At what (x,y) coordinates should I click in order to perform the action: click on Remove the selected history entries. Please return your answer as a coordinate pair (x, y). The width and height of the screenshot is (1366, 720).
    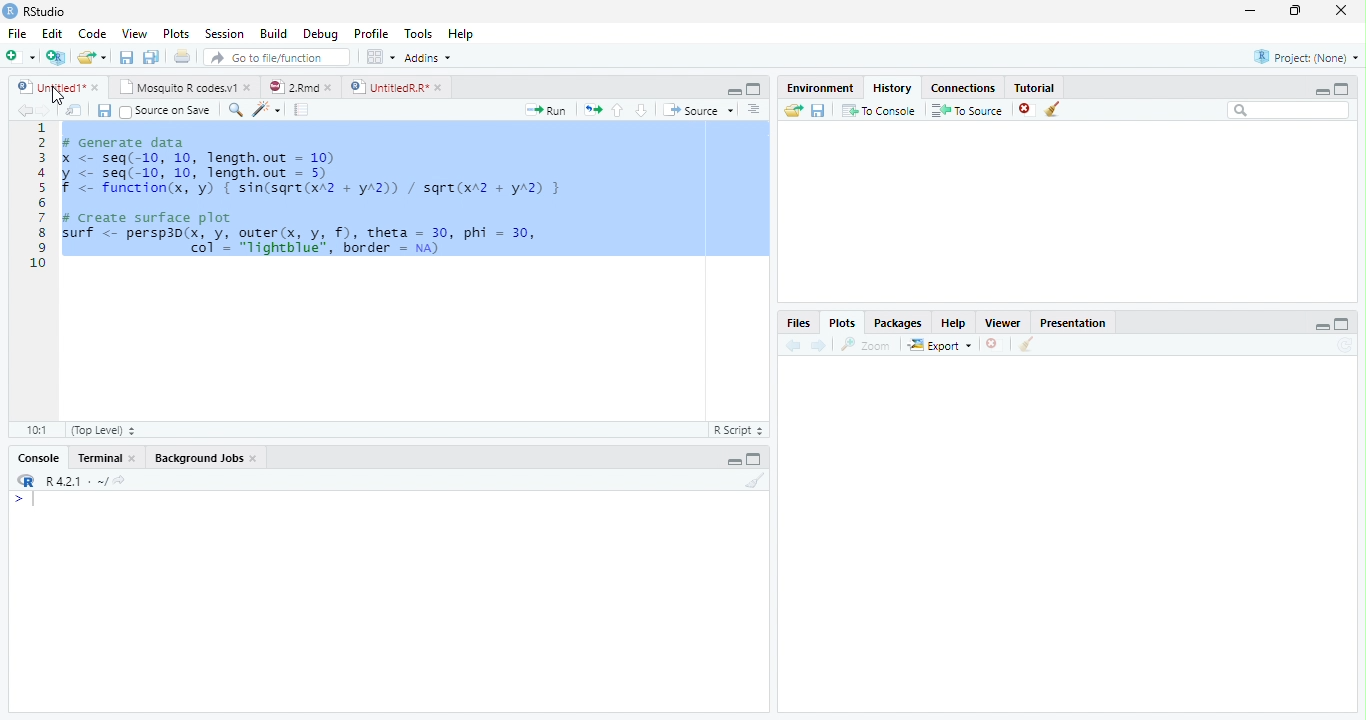
    Looking at the image, I should click on (1026, 110).